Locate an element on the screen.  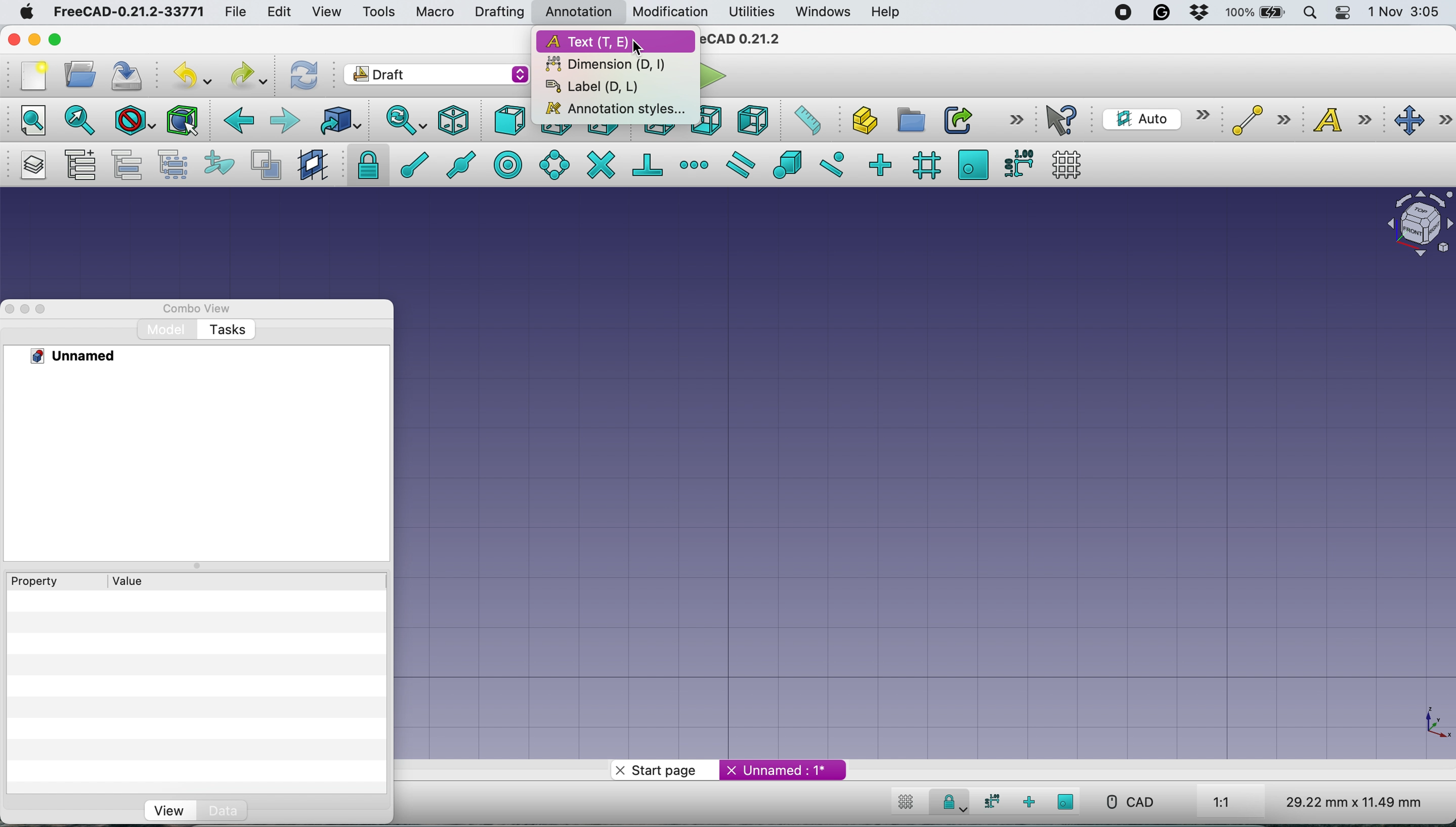
Selection filter is located at coordinates (184, 120).